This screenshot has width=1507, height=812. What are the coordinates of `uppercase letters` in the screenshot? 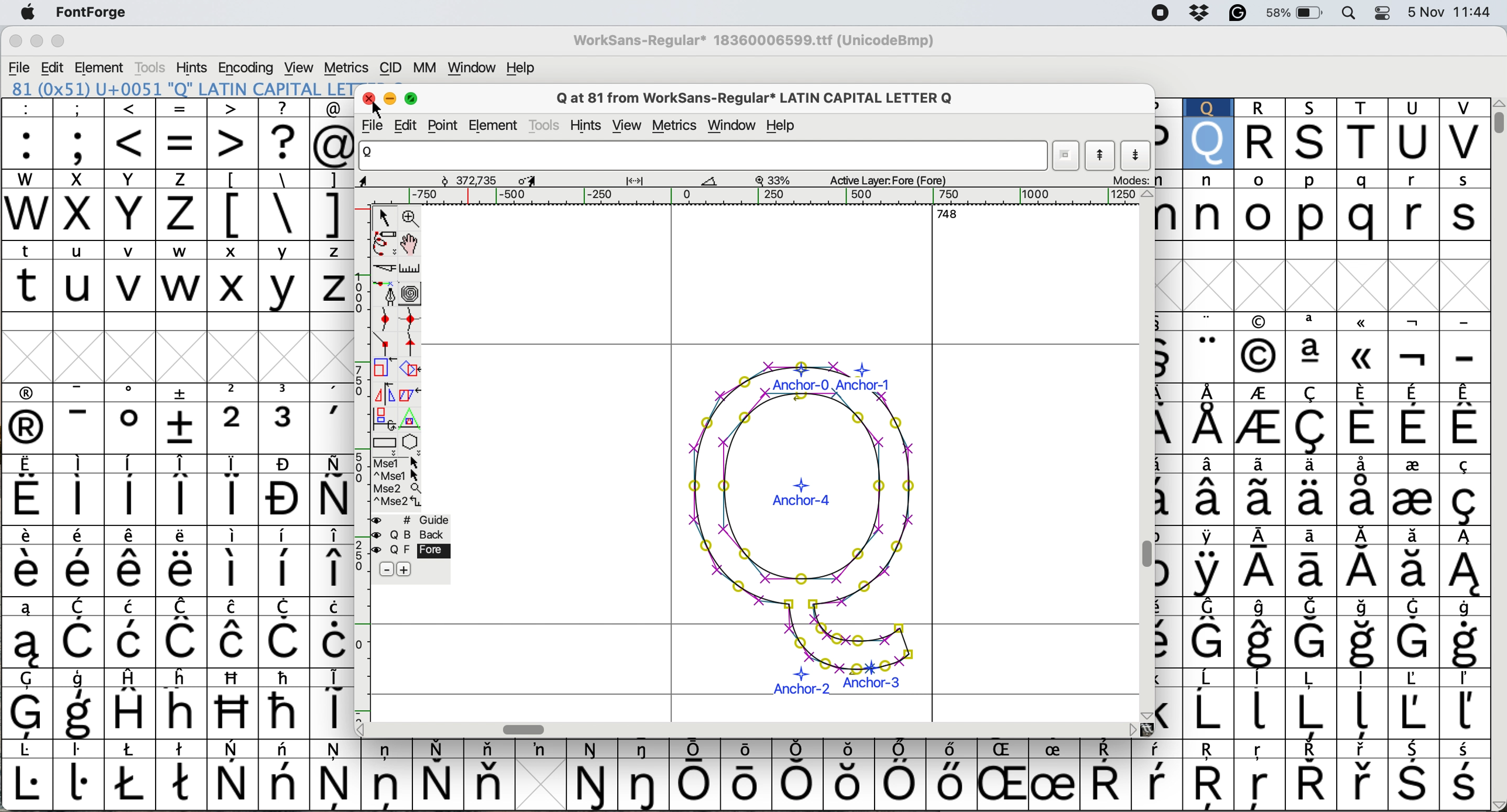 It's located at (113, 216).